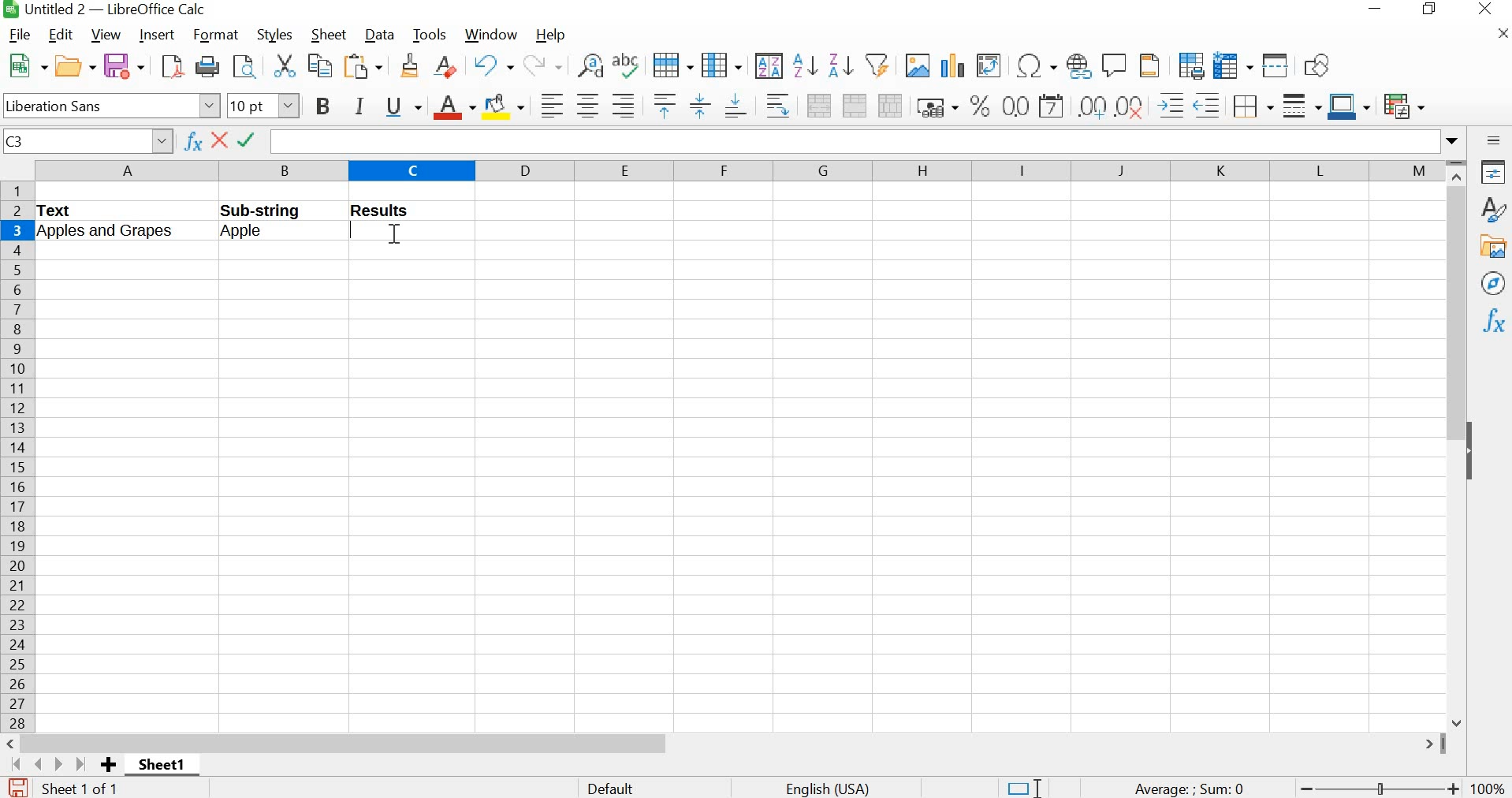 Image resolution: width=1512 pixels, height=798 pixels. I want to click on insert image, so click(917, 65).